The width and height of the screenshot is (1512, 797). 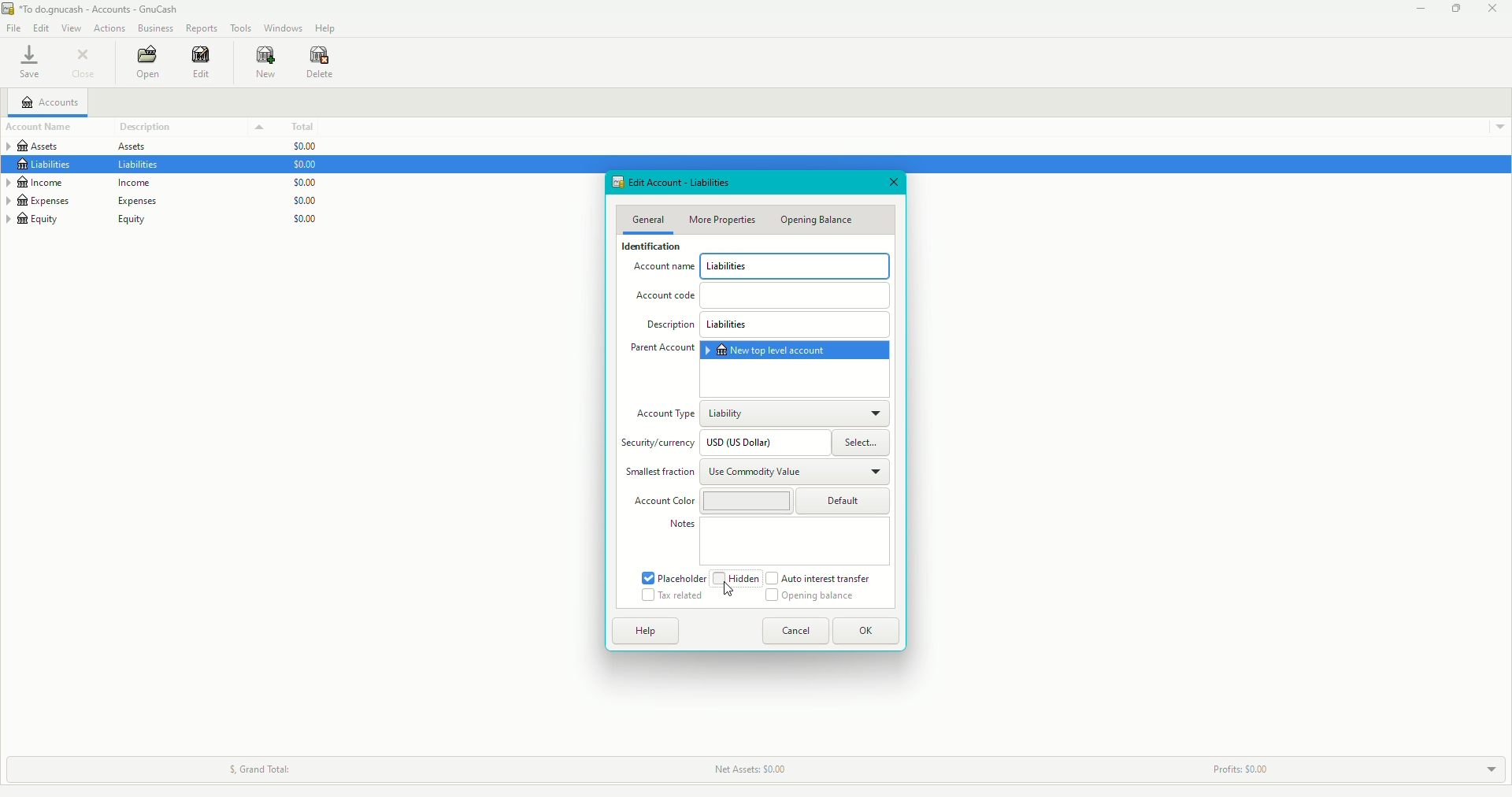 I want to click on Help, so click(x=646, y=632).